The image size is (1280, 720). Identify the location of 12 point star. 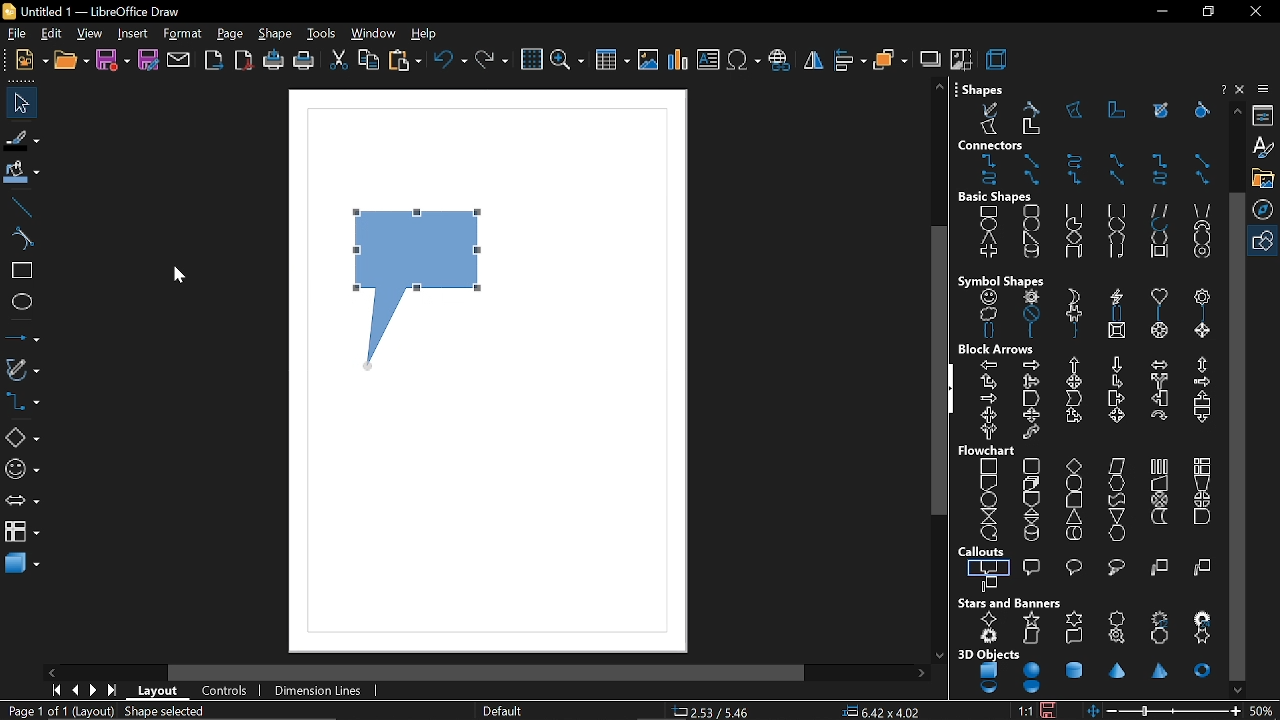
(1162, 616).